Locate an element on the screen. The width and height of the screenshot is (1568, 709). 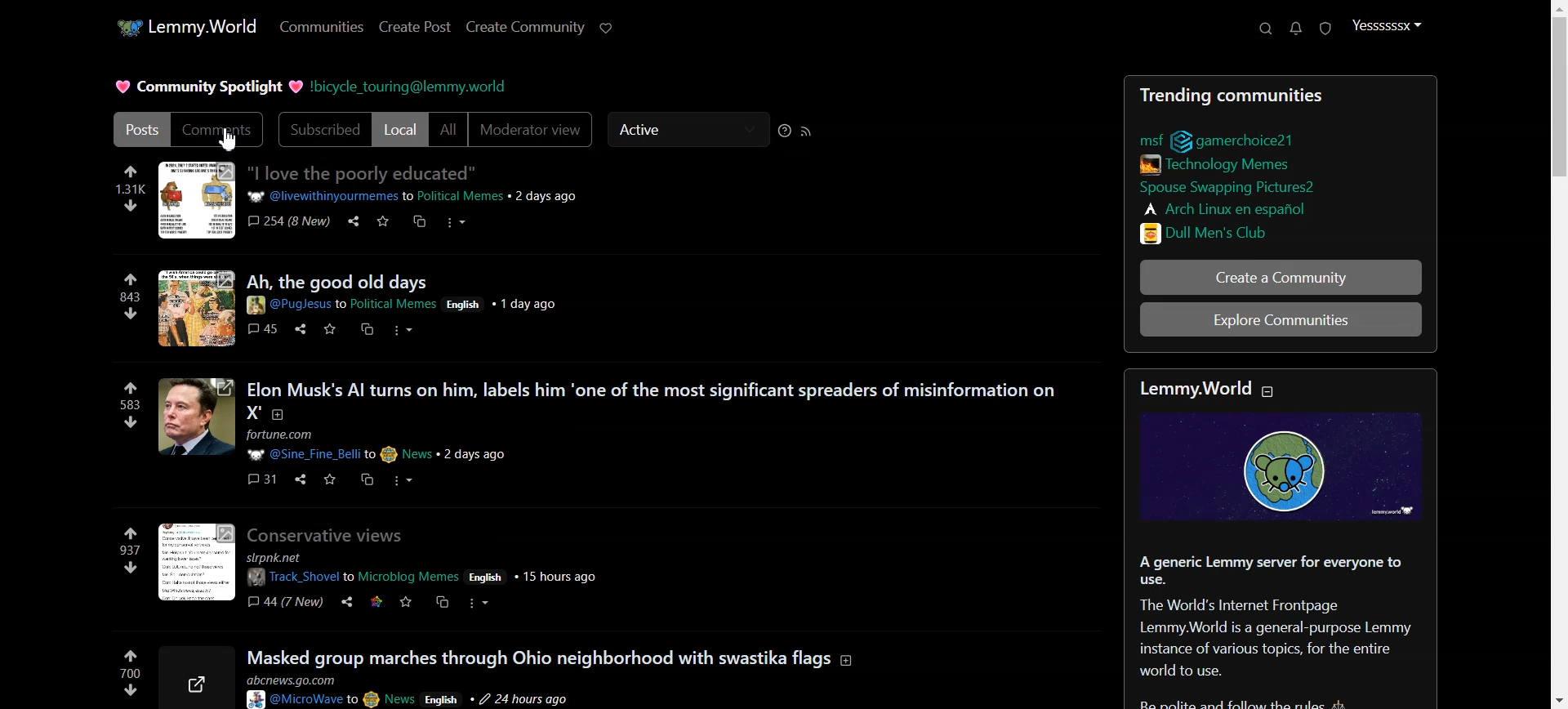
comments is located at coordinates (285, 221).